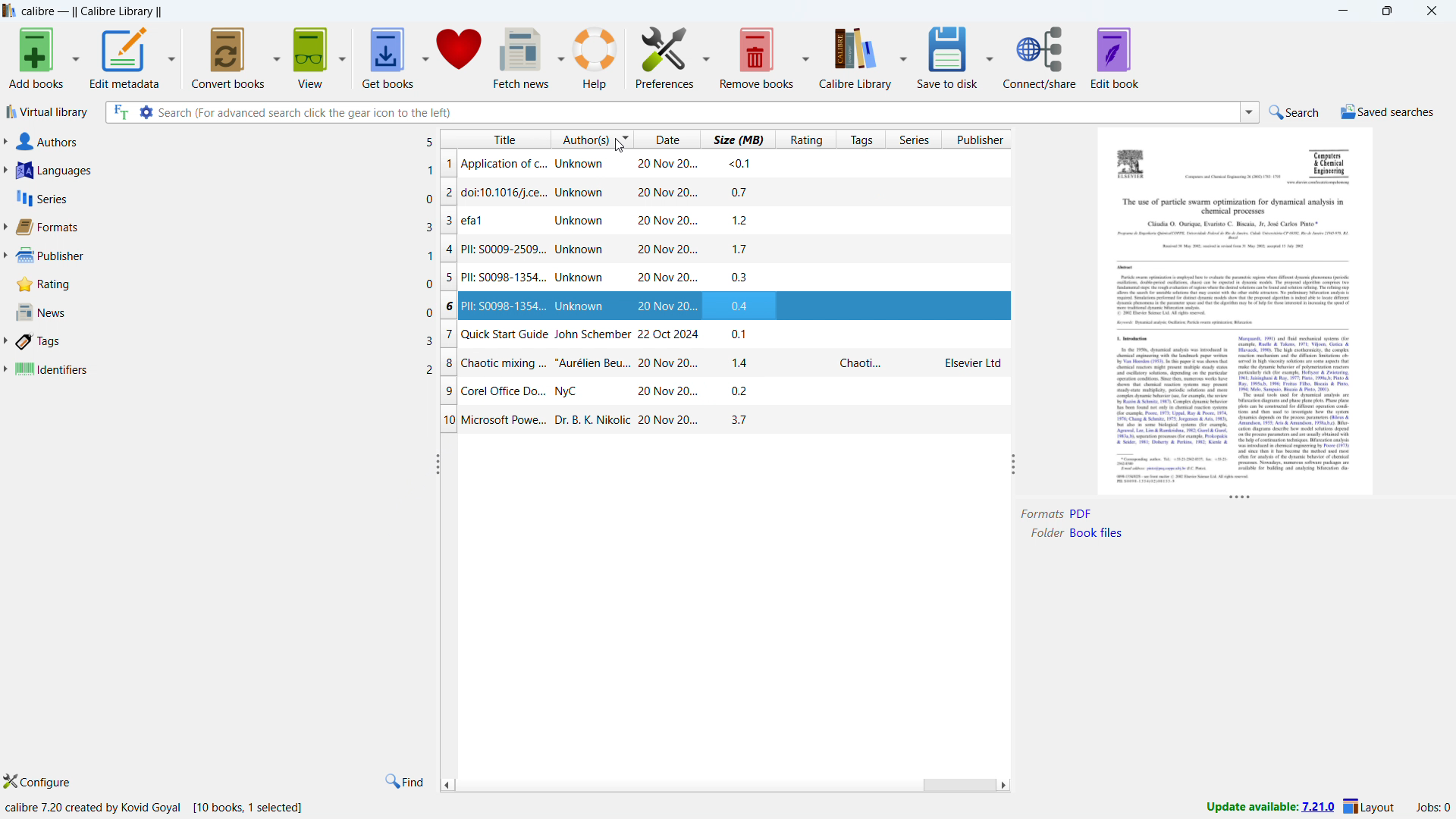  What do you see at coordinates (736, 139) in the screenshot?
I see `sort by size` at bounding box center [736, 139].